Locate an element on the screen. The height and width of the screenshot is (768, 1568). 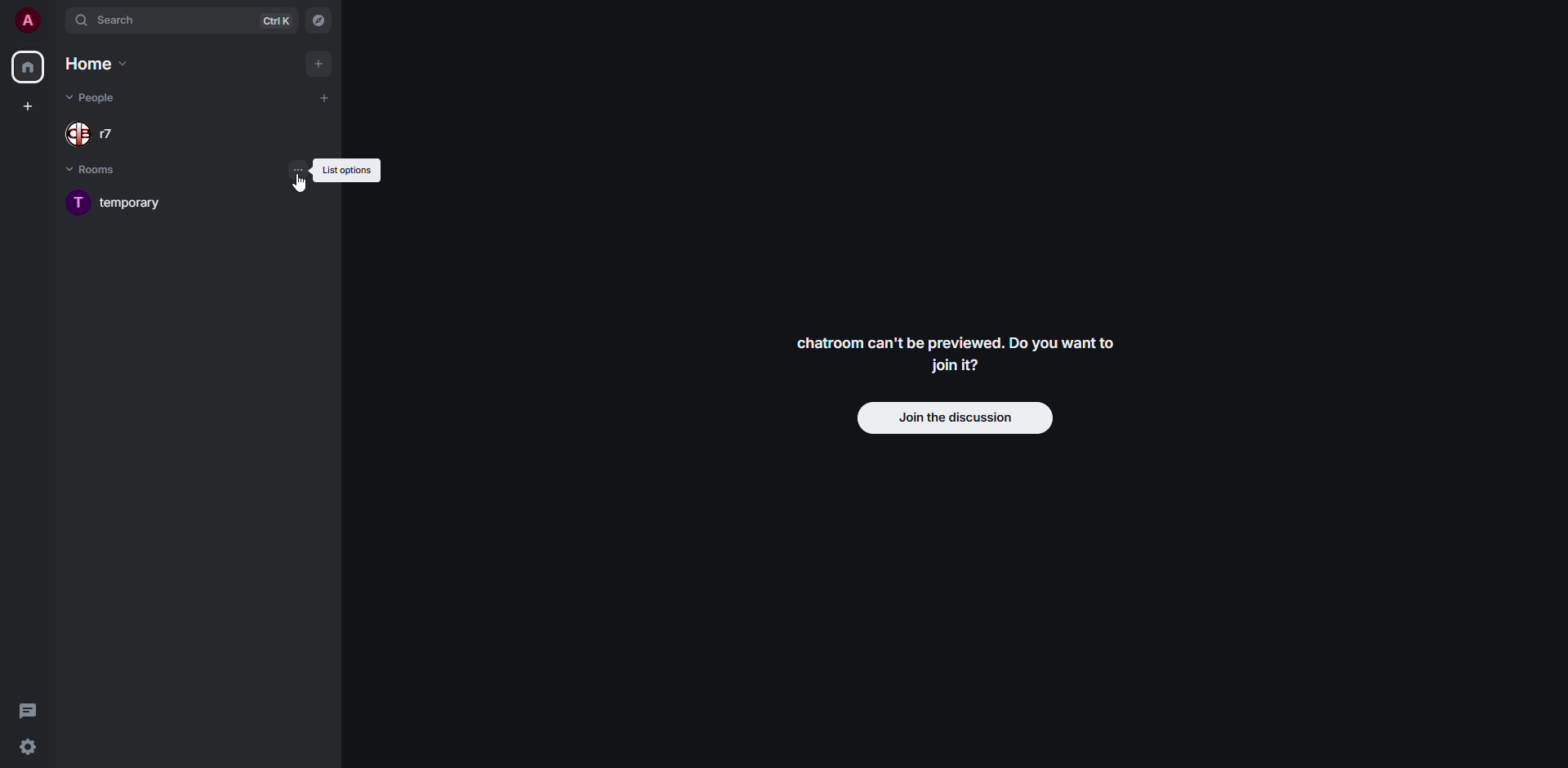
cursor is located at coordinates (301, 182).